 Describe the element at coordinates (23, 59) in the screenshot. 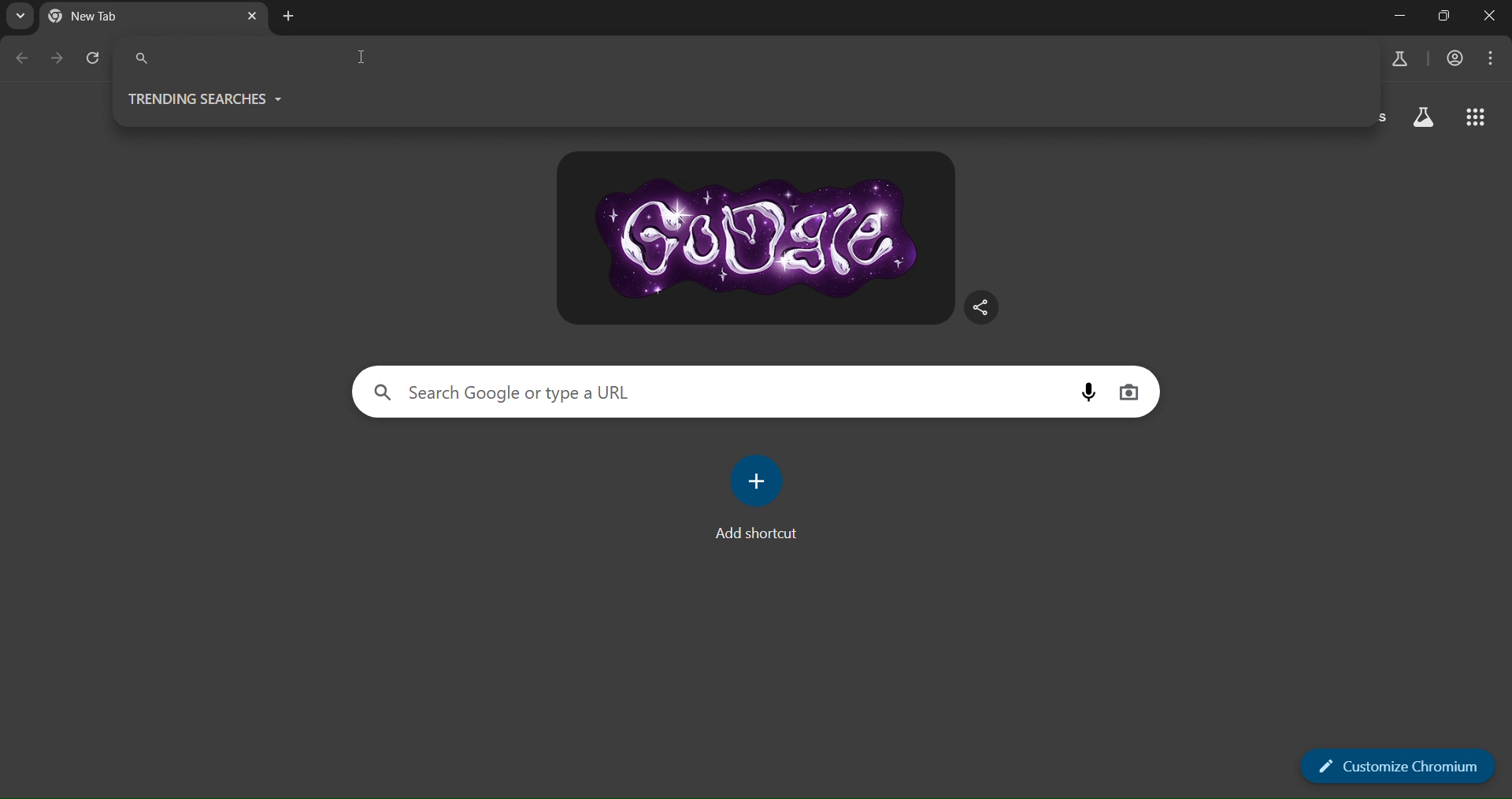

I see `go back one page` at that location.